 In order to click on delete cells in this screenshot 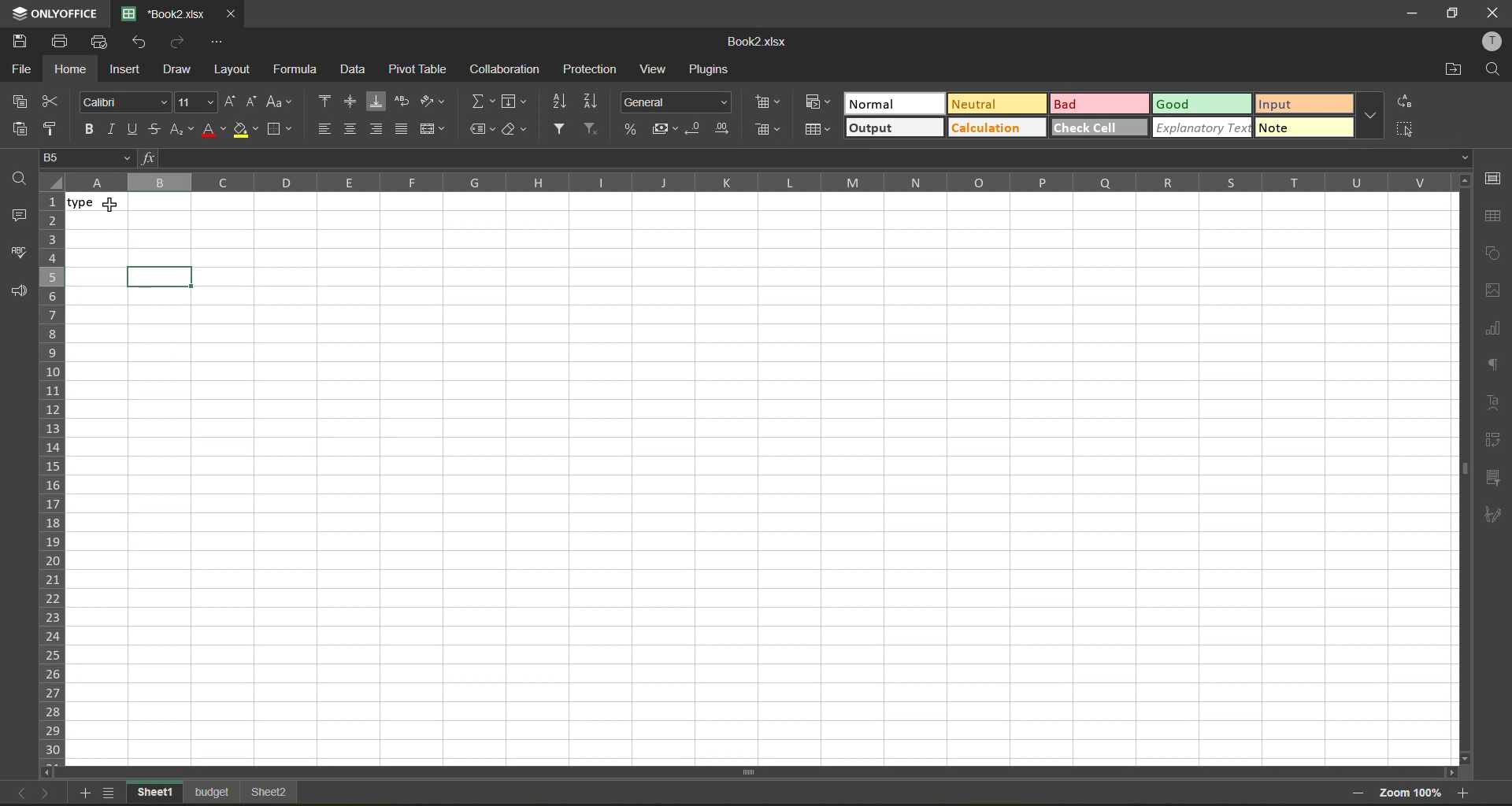, I will do `click(769, 129)`.